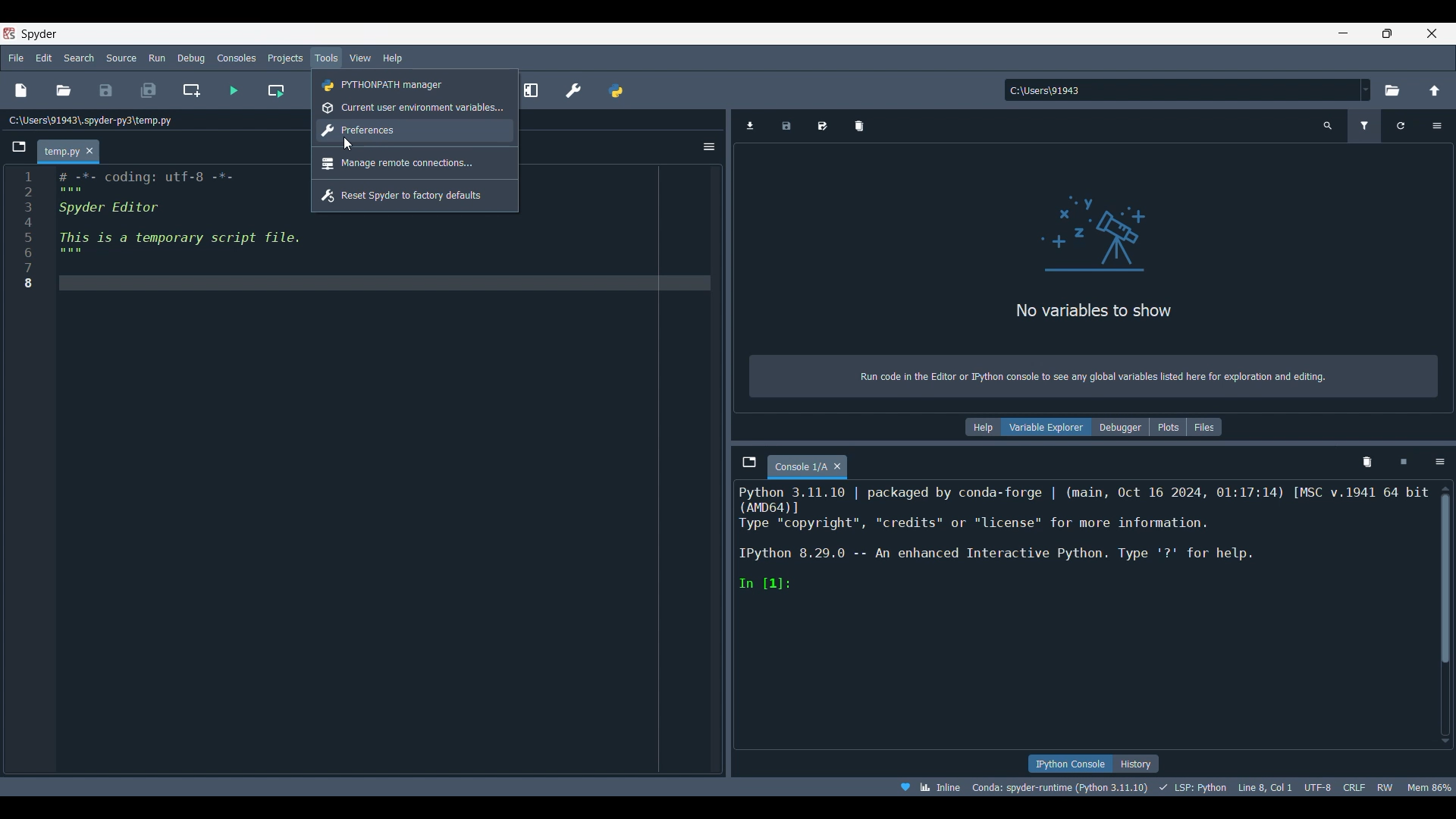 The width and height of the screenshot is (1456, 819). Describe the element at coordinates (709, 146) in the screenshot. I see `Options` at that location.